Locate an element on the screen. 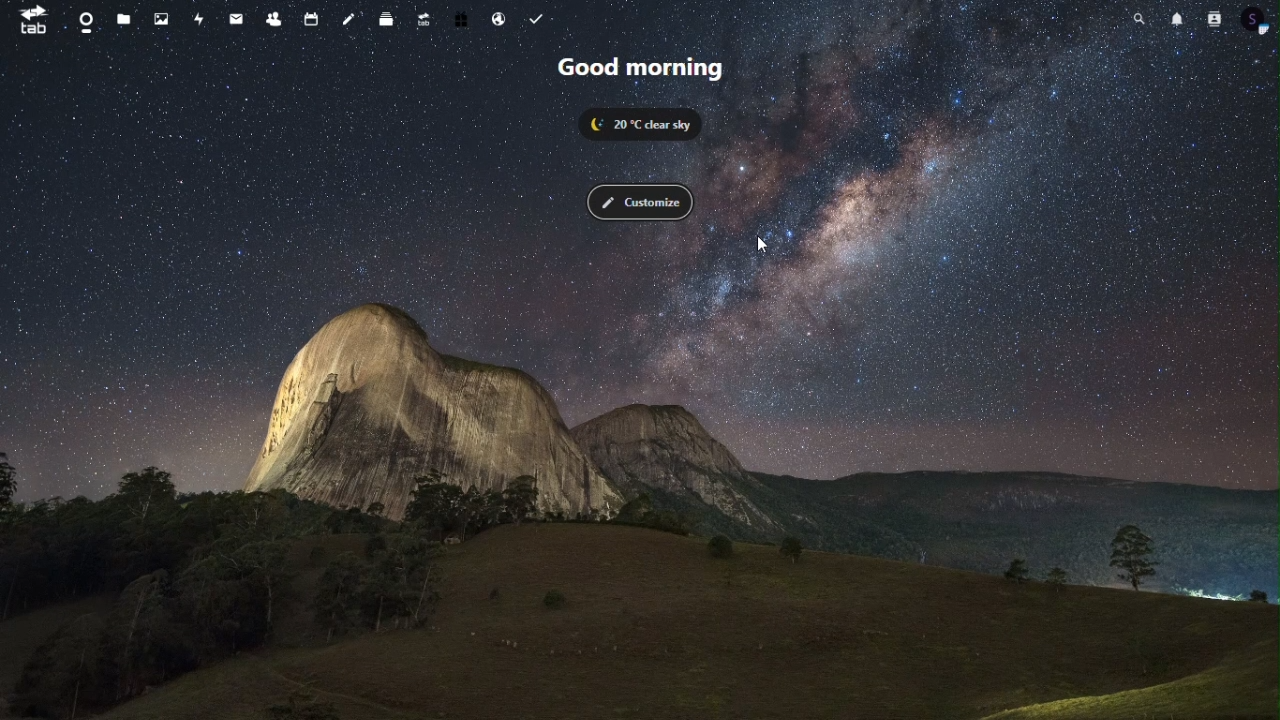  activity is located at coordinates (201, 21).